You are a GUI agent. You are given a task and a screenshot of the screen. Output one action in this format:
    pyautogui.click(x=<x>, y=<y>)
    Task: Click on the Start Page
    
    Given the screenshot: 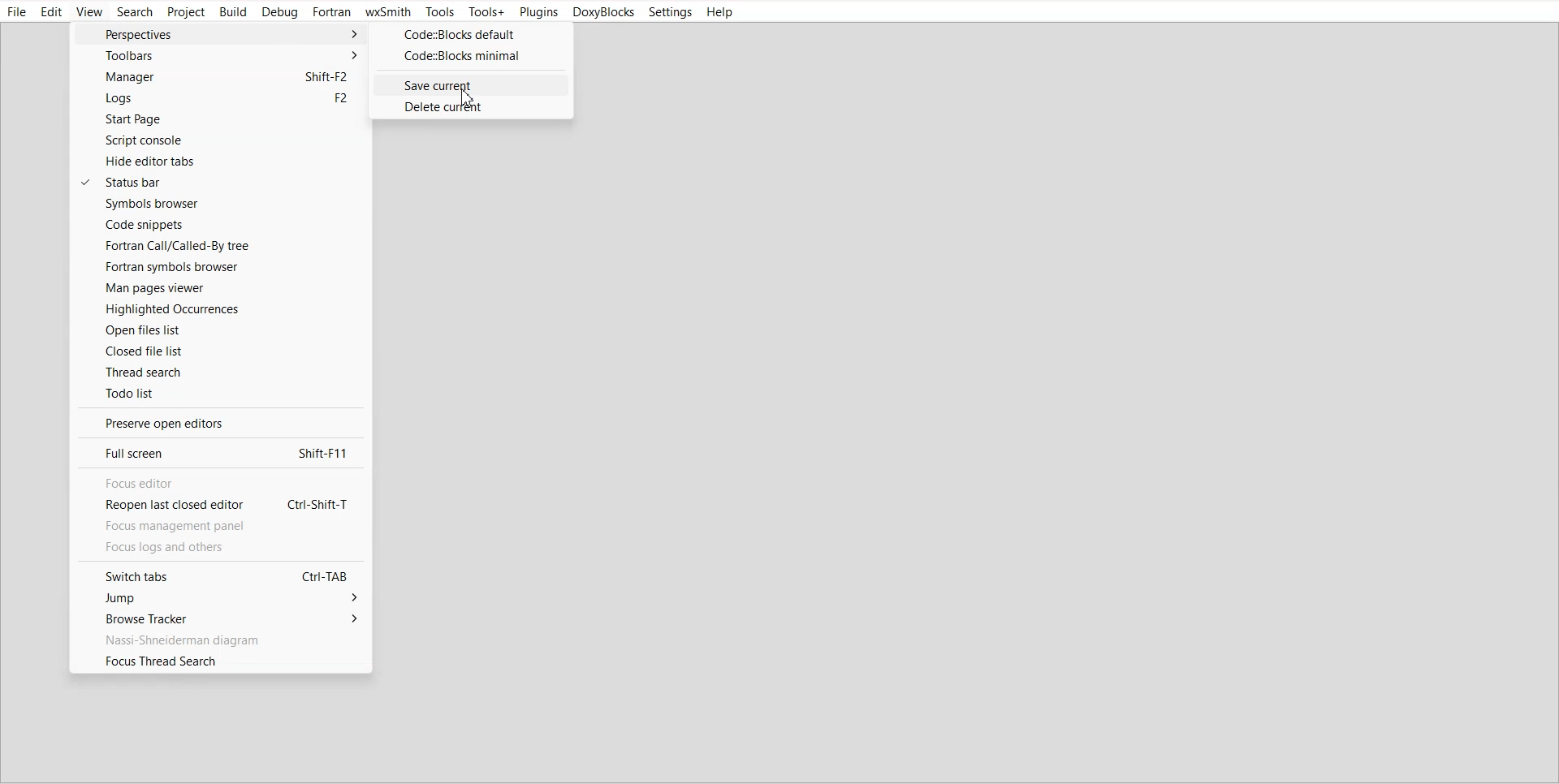 What is the action you would take?
    pyautogui.click(x=217, y=120)
    